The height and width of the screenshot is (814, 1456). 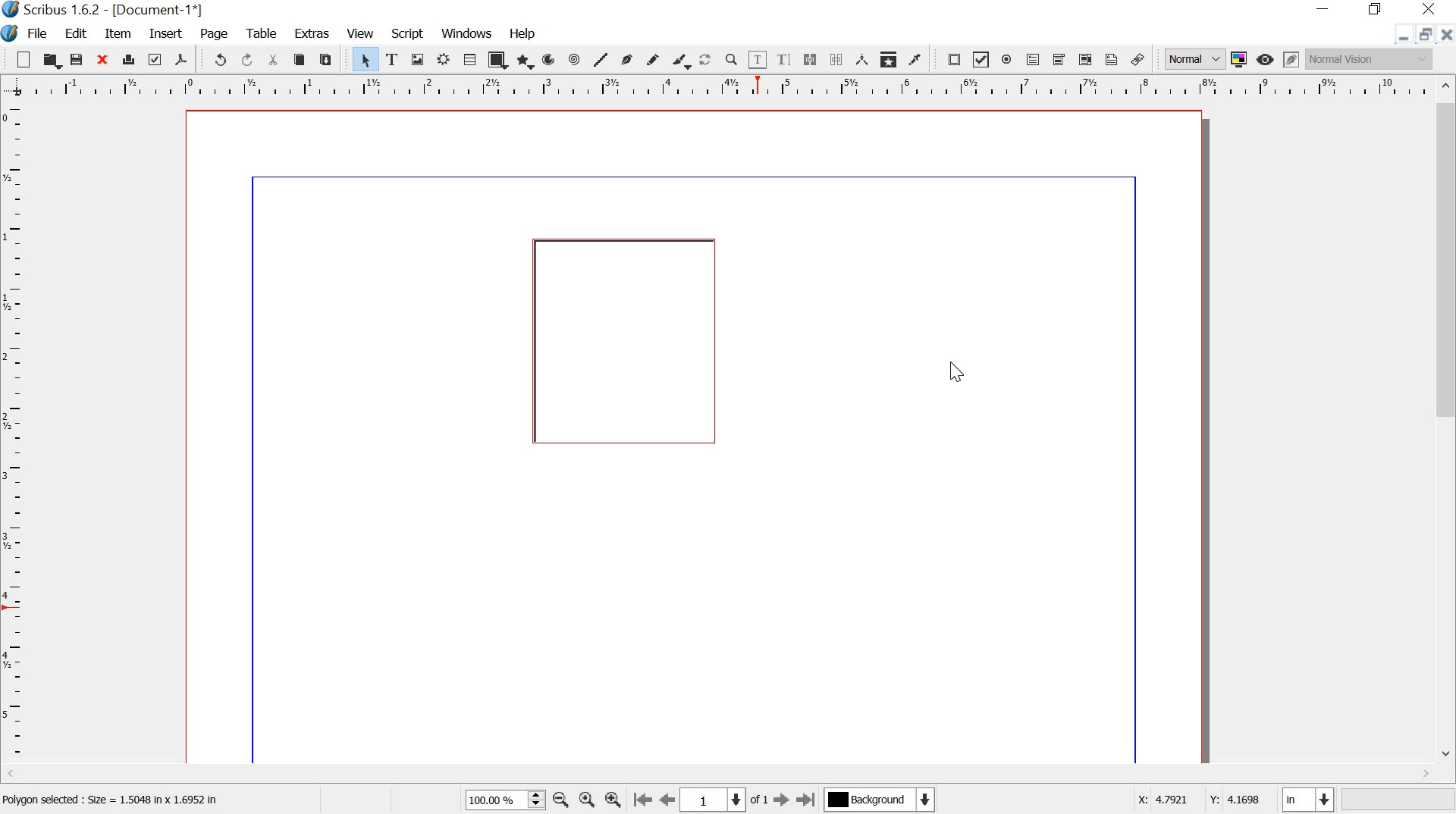 What do you see at coordinates (1034, 59) in the screenshot?
I see `pdf text field` at bounding box center [1034, 59].